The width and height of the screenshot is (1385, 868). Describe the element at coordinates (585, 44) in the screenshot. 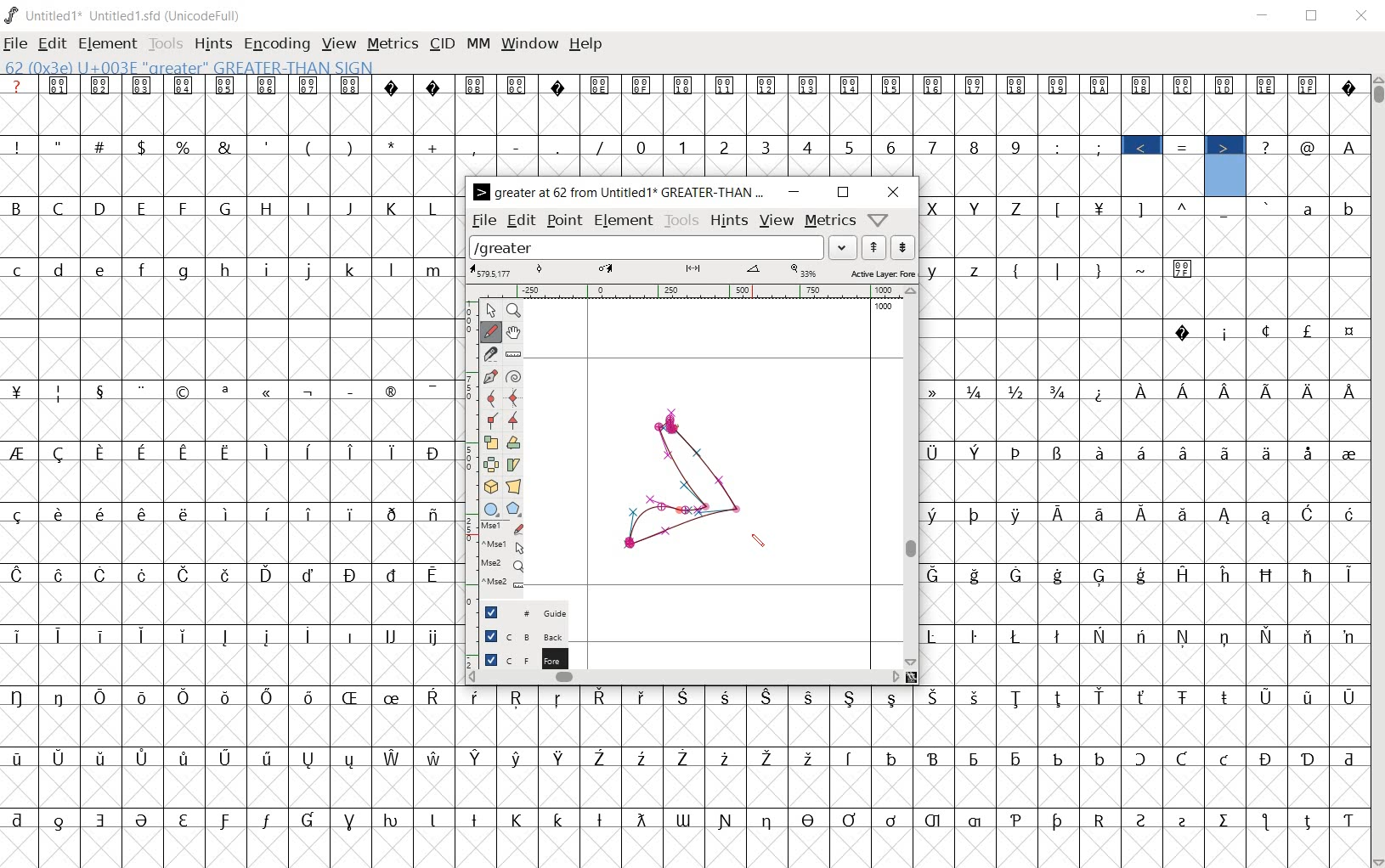

I see `help` at that location.